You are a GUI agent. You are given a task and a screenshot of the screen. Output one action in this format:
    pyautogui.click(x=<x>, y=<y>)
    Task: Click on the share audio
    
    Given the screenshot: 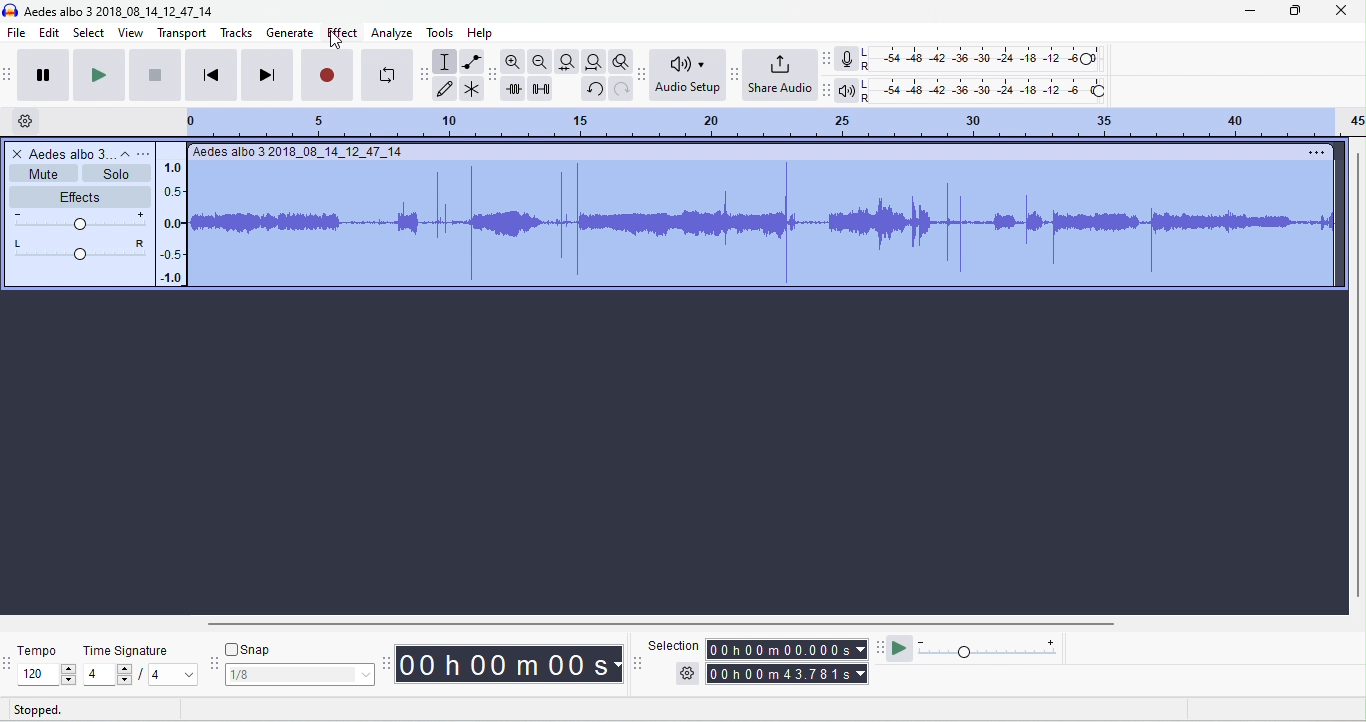 What is the action you would take?
    pyautogui.click(x=780, y=75)
    